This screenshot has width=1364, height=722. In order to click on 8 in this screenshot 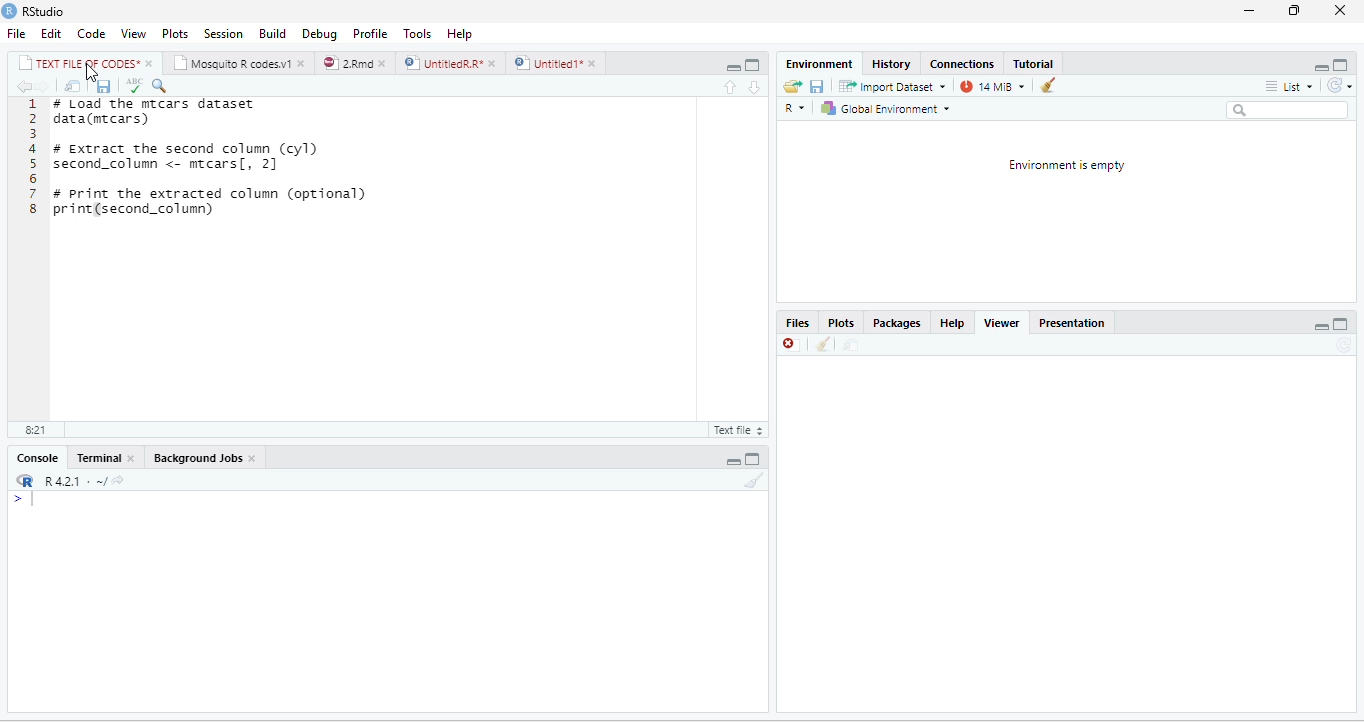, I will do `click(32, 209)`.